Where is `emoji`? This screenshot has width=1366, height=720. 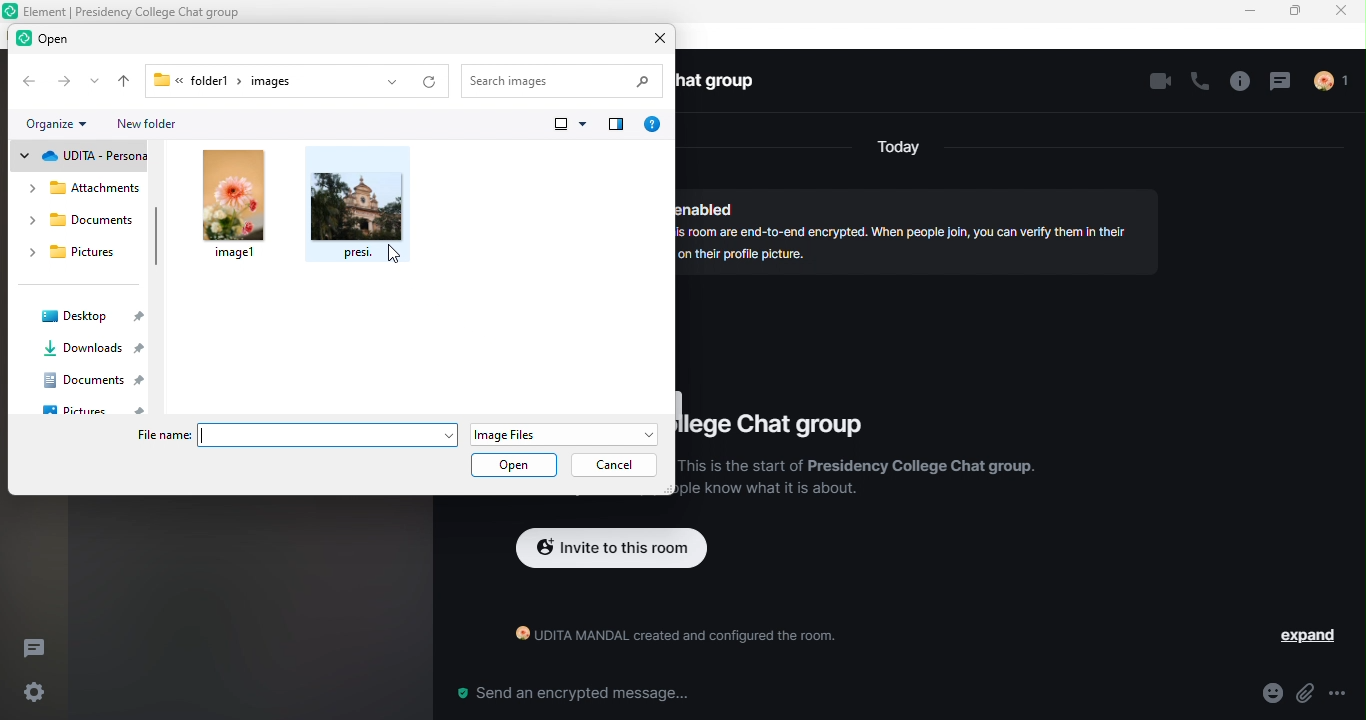
emoji is located at coordinates (1262, 694).